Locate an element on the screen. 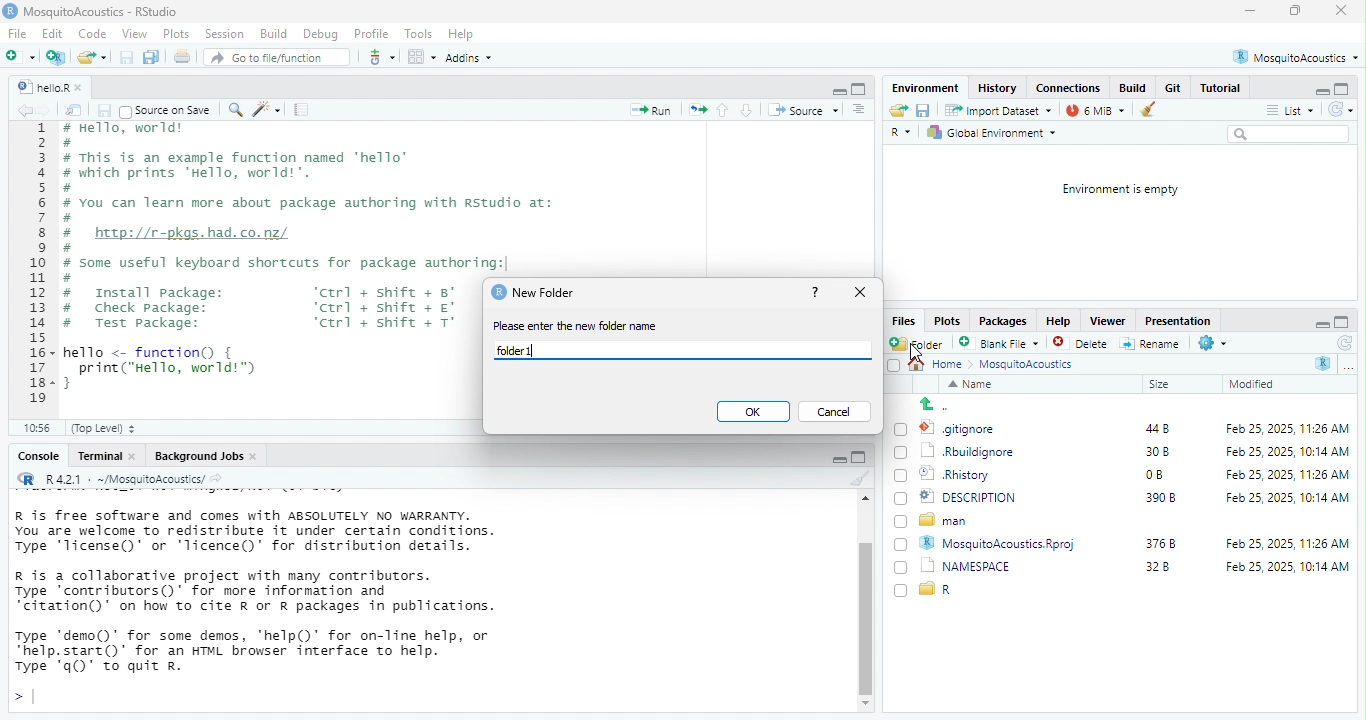 The image size is (1366, 720). Tutorial is located at coordinates (1225, 88).